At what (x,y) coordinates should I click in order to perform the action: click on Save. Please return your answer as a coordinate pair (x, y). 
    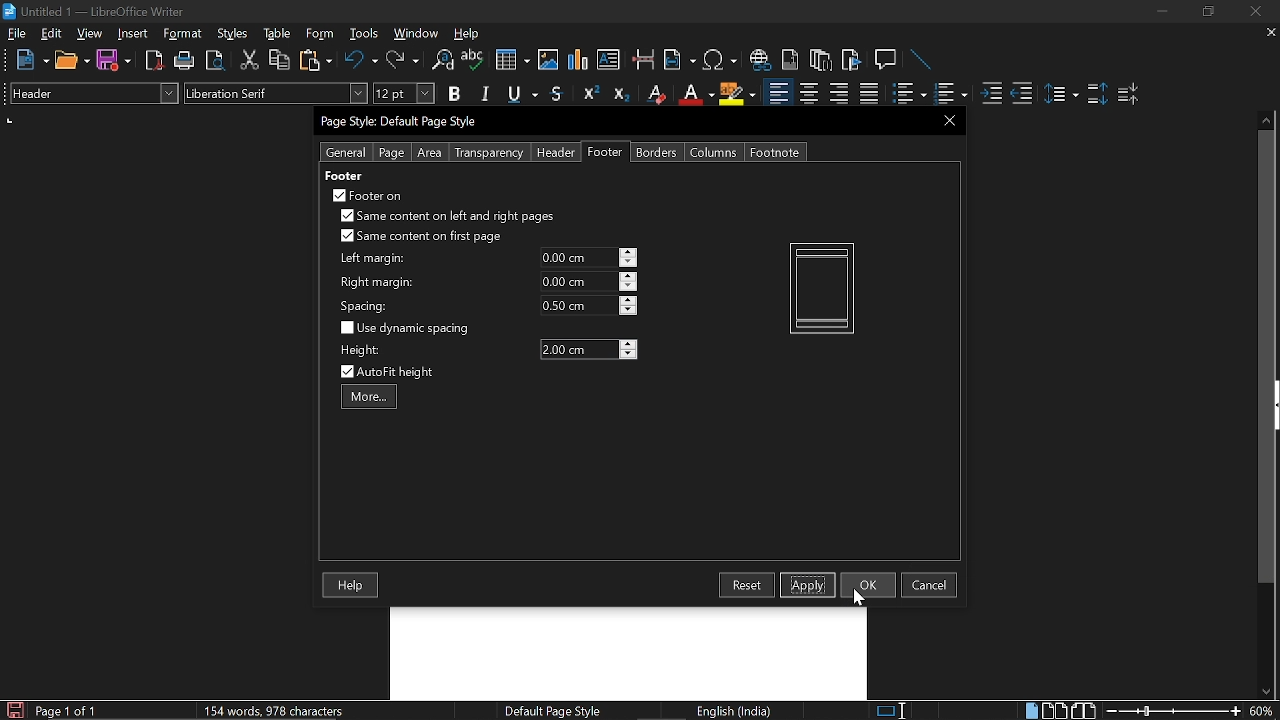
    Looking at the image, I should click on (13, 710).